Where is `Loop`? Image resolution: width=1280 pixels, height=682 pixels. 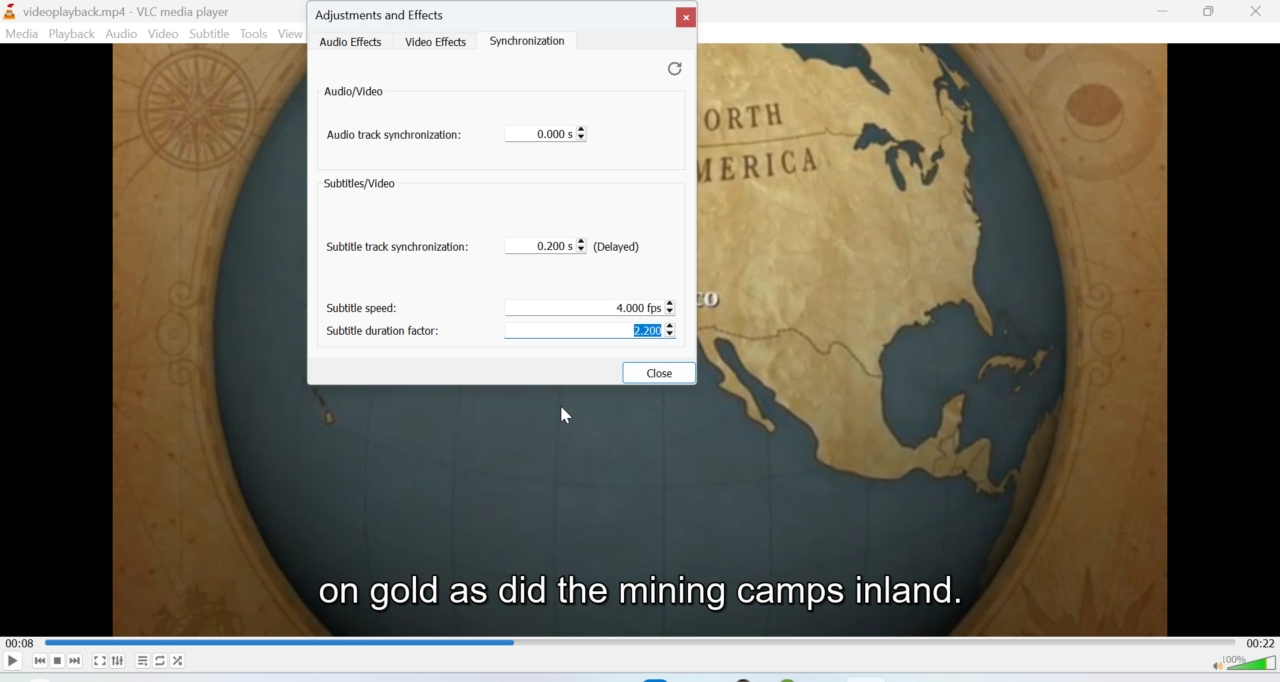 Loop is located at coordinates (158, 660).